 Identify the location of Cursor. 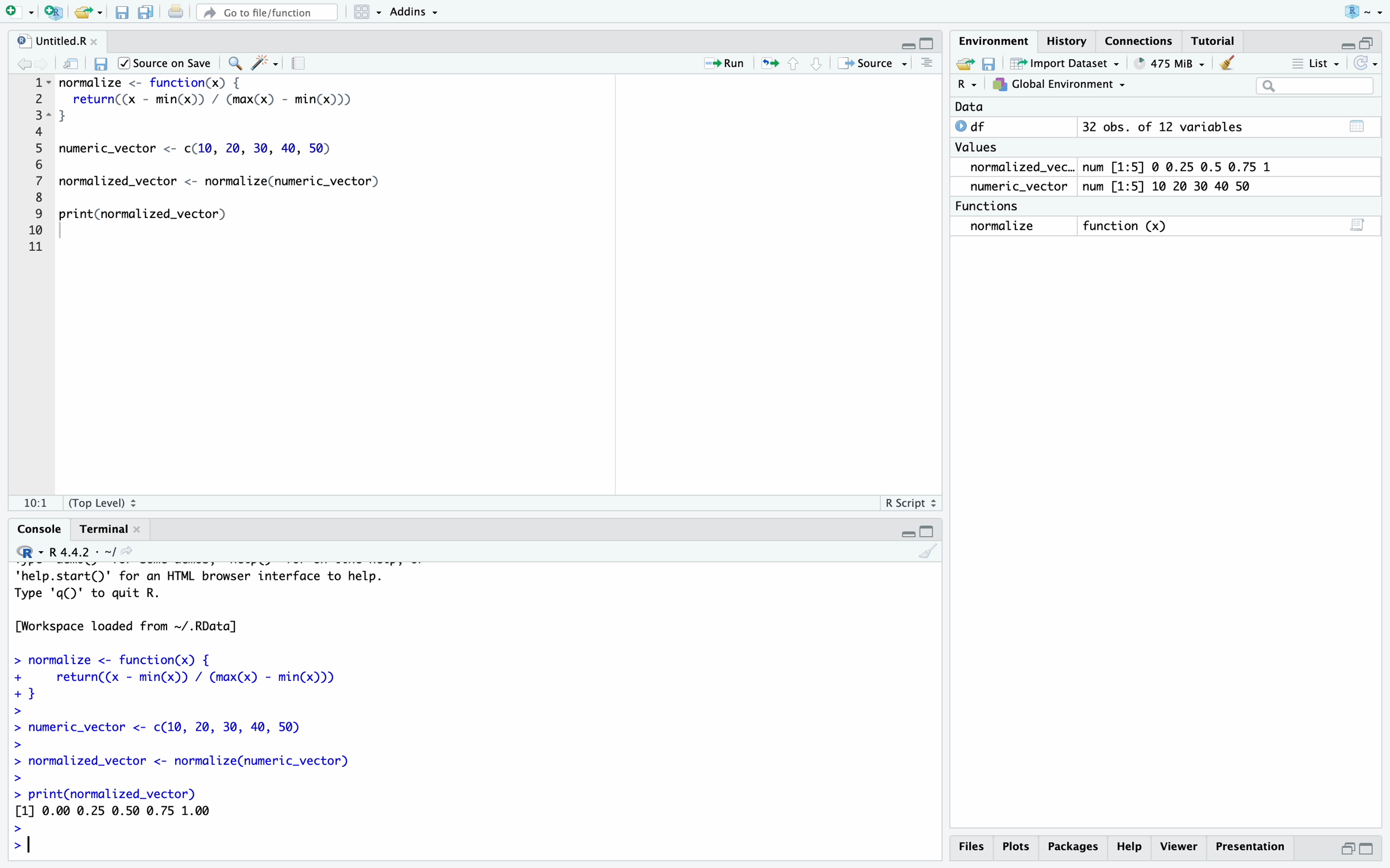
(106, 849).